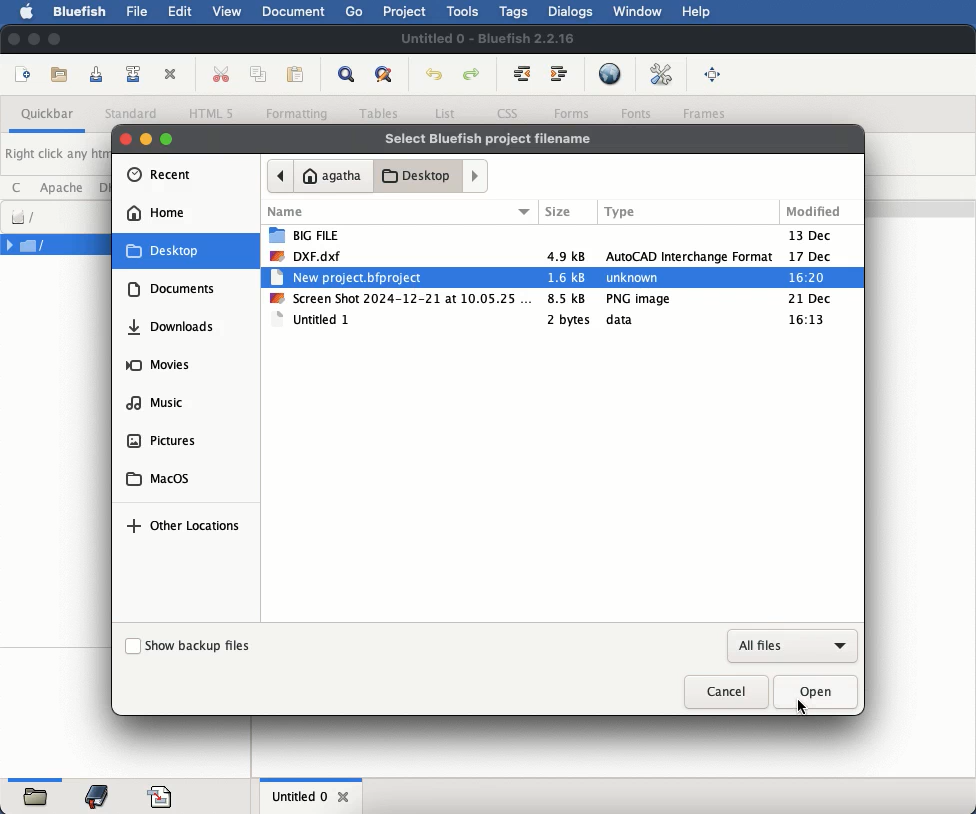 Image resolution: width=976 pixels, height=814 pixels. Describe the element at coordinates (559, 74) in the screenshot. I see `indent` at that location.